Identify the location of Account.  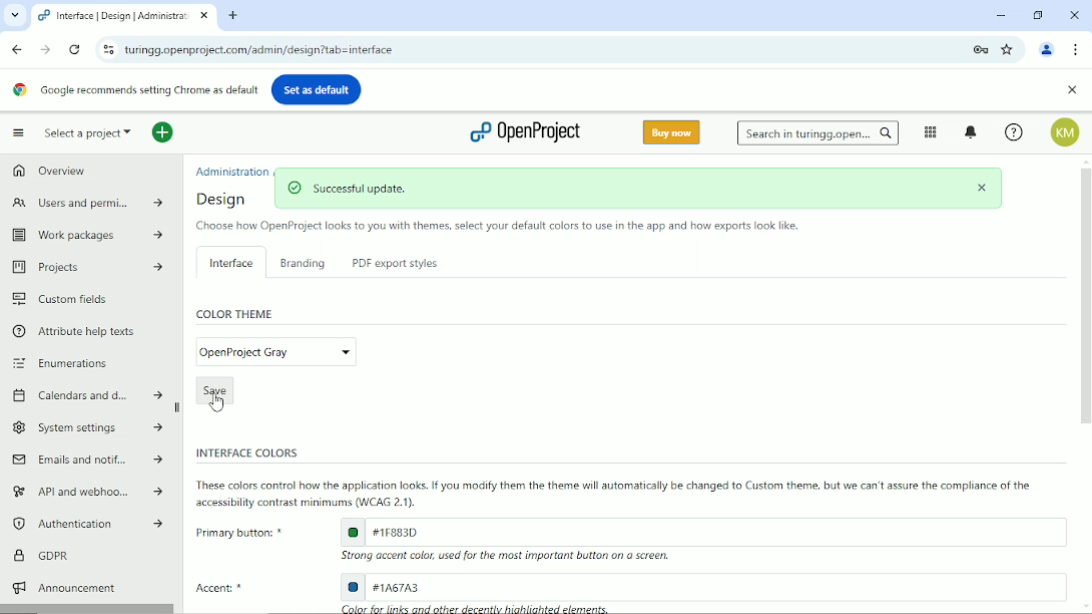
(1048, 48).